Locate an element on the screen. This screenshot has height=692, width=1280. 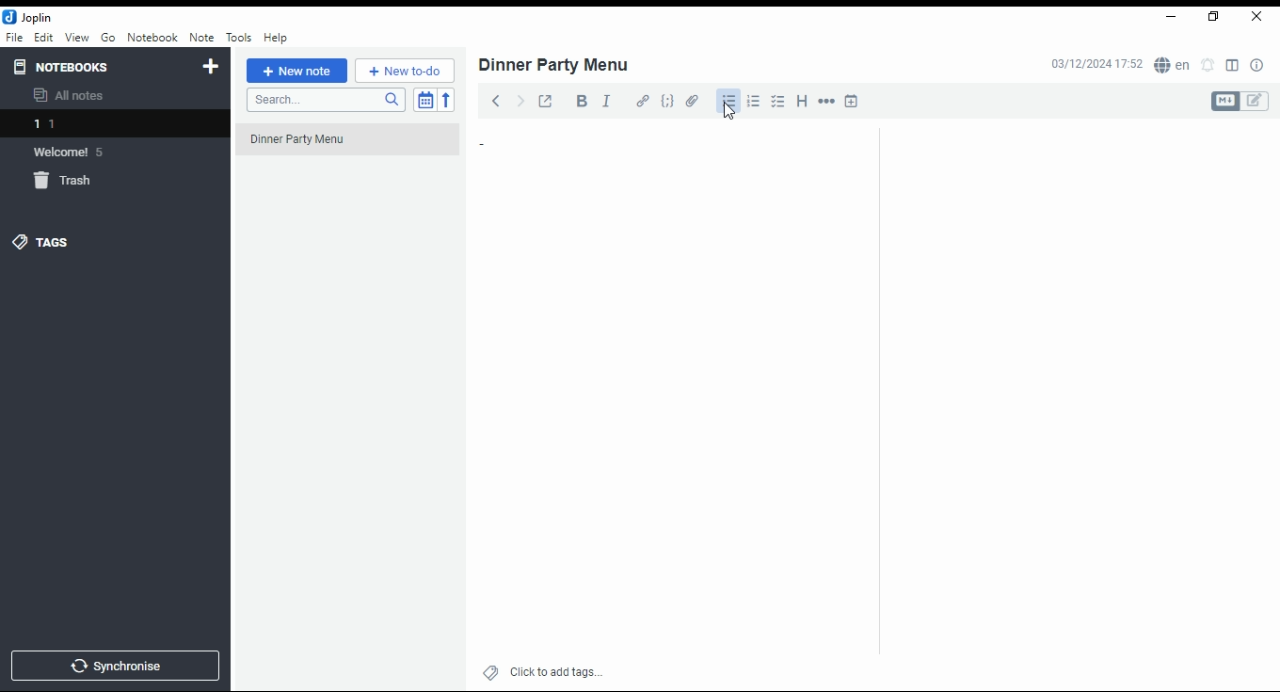
notebooks is located at coordinates (66, 66).